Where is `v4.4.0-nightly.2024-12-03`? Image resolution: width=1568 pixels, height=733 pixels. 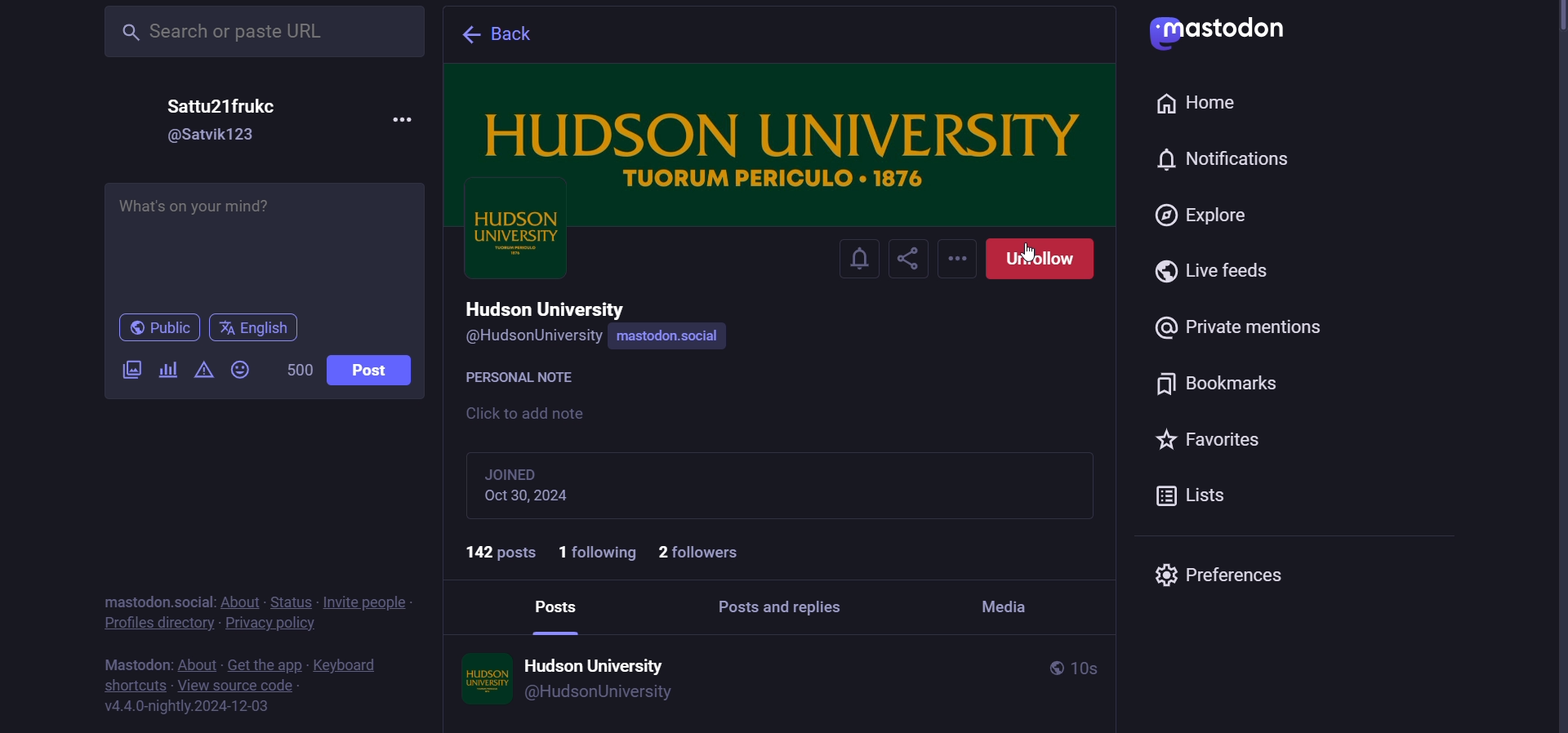
v4.4.0-nightly.2024-12-03 is located at coordinates (190, 704).